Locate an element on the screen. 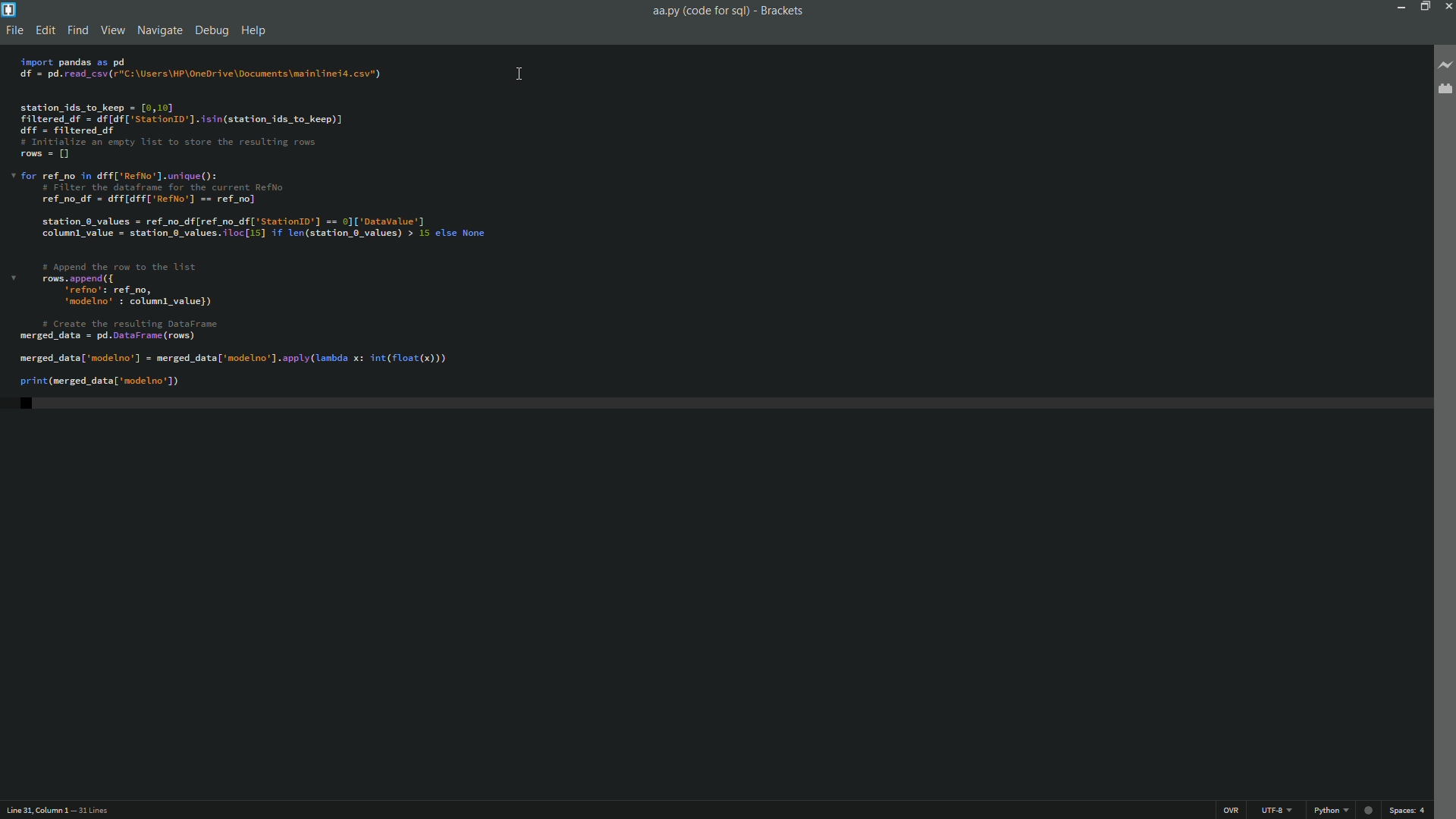 The image size is (1456, 819). close app button is located at coordinates (1447, 8).